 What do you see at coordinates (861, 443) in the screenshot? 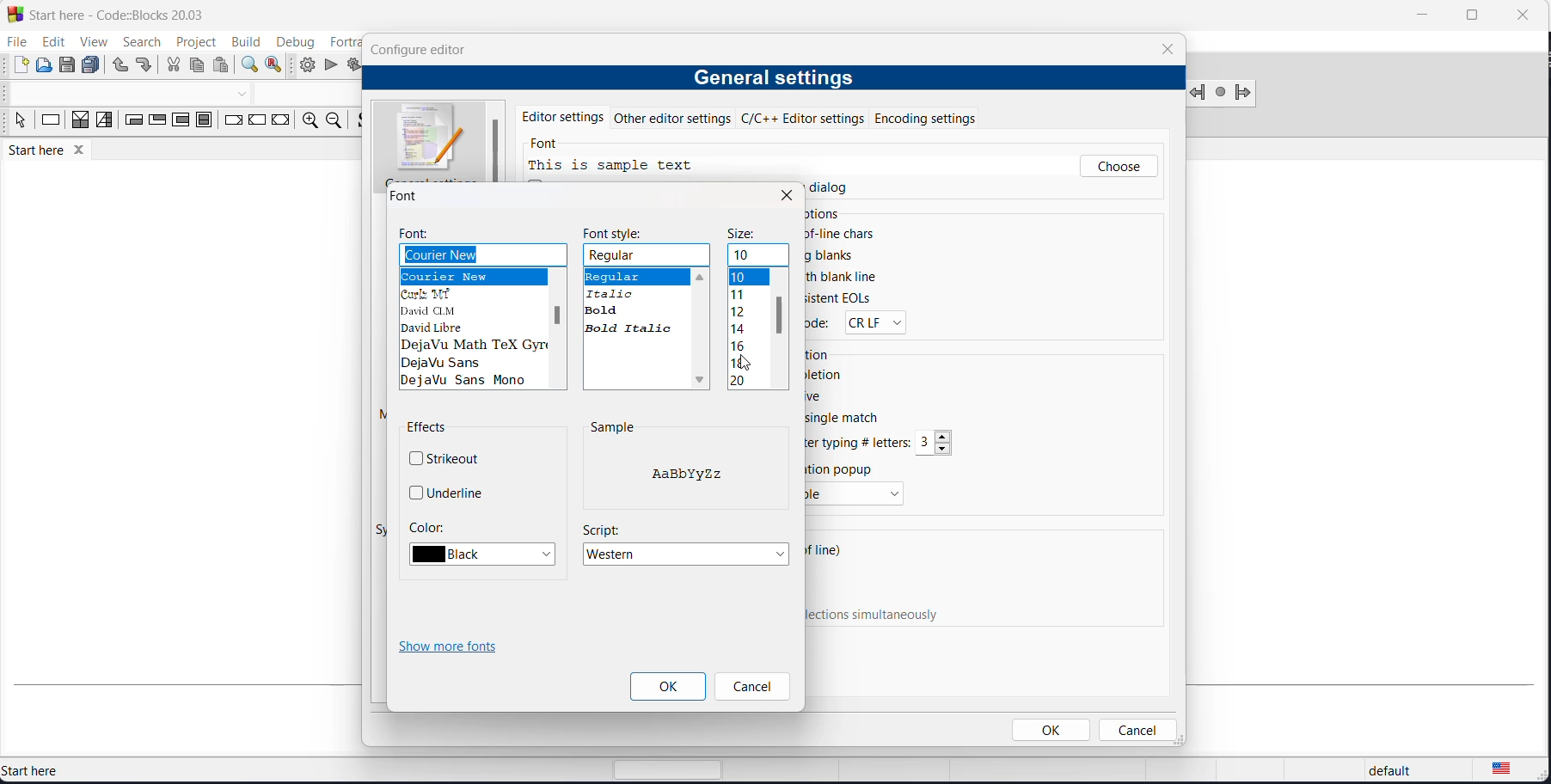
I see `Typing letters` at bounding box center [861, 443].